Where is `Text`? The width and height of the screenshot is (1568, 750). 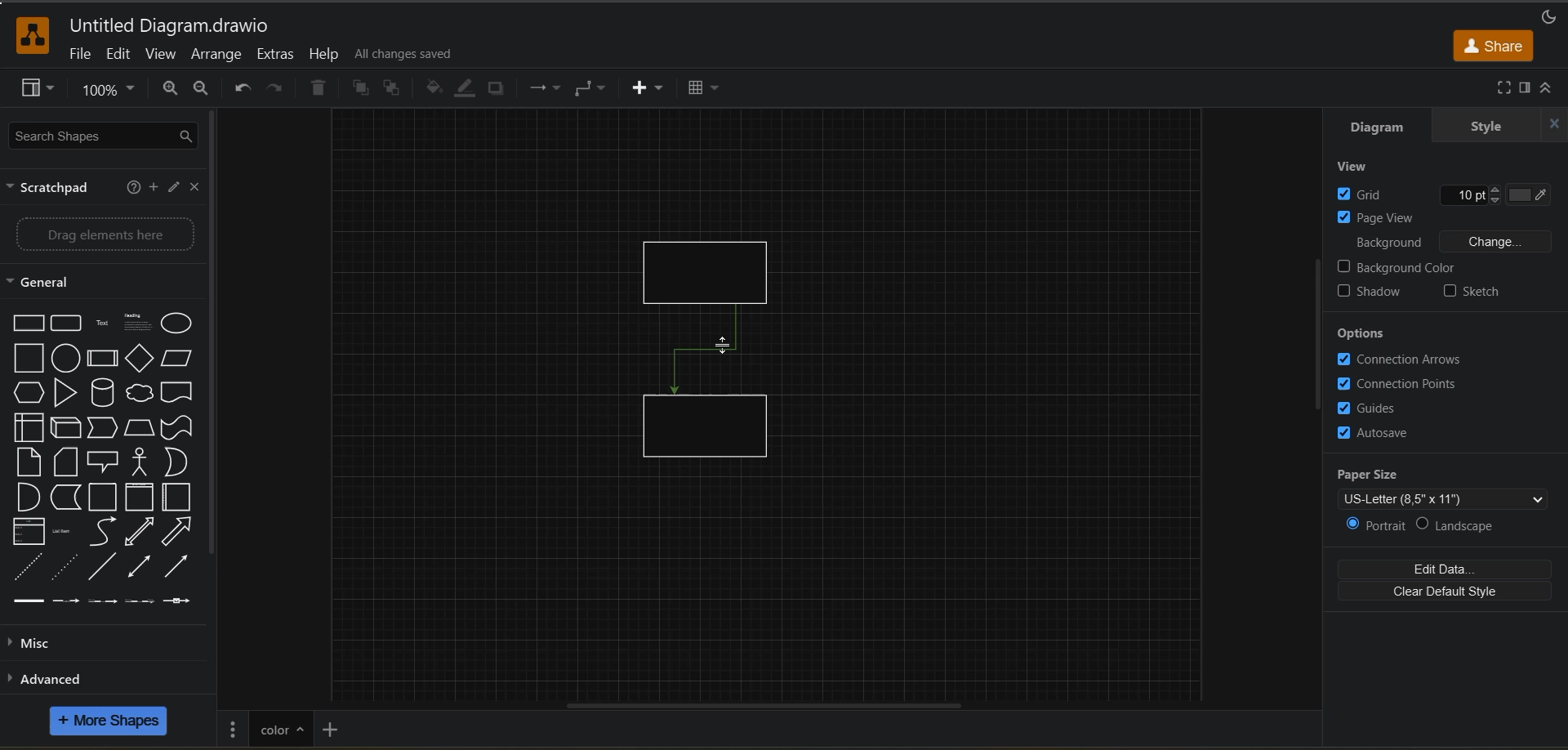 Text is located at coordinates (105, 323).